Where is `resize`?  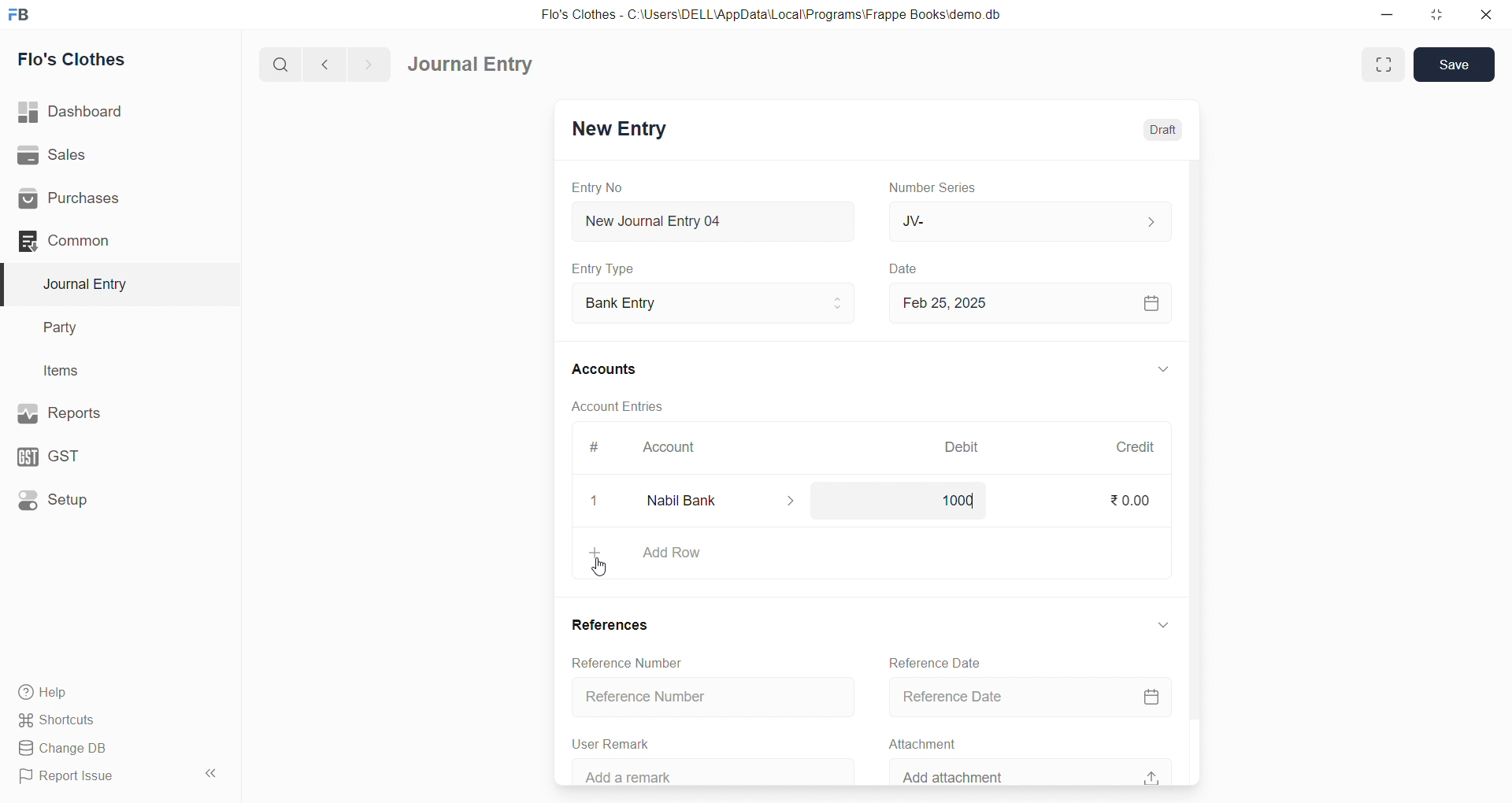 resize is located at coordinates (1432, 14).